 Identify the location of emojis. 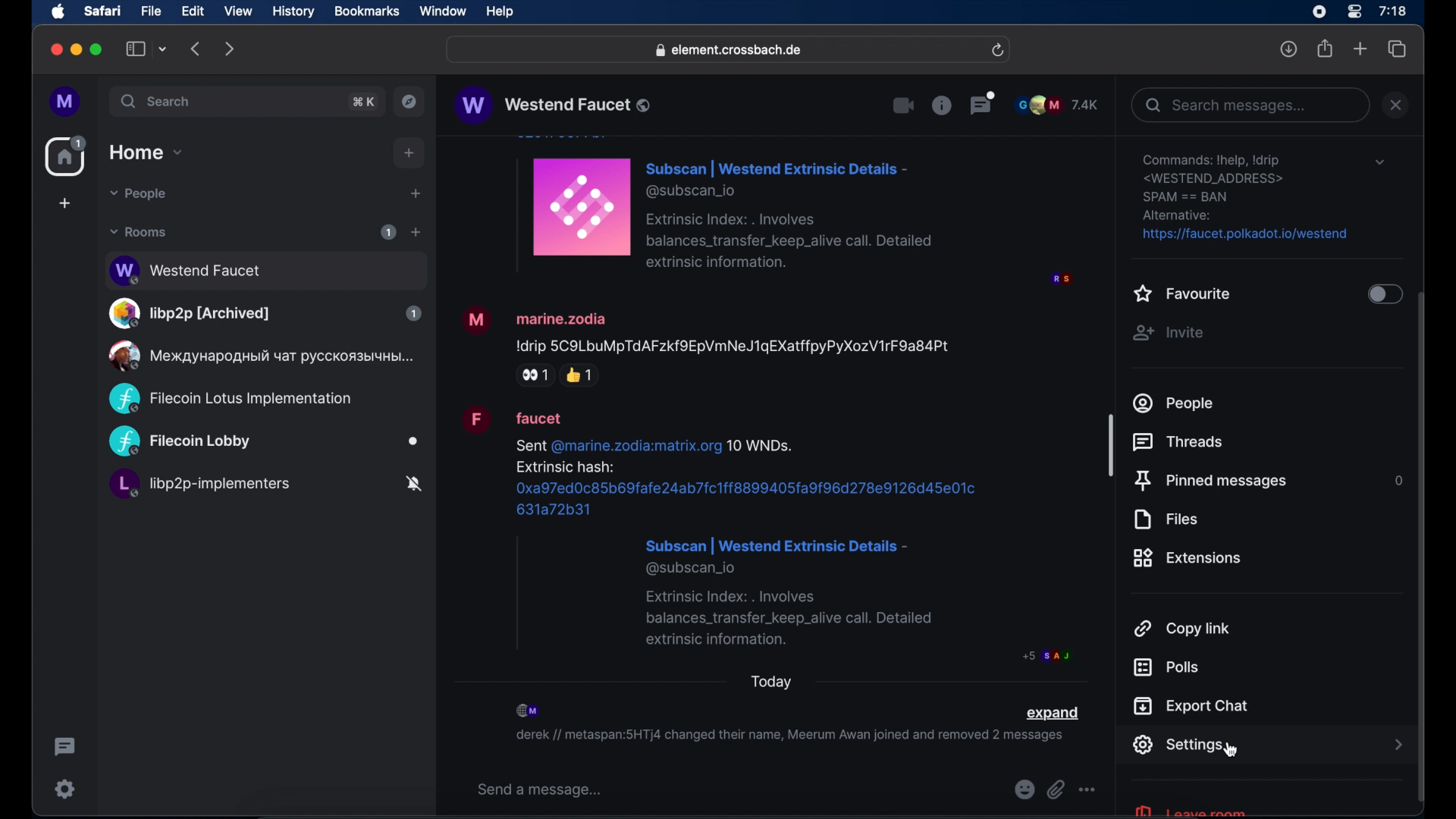
(1023, 790).